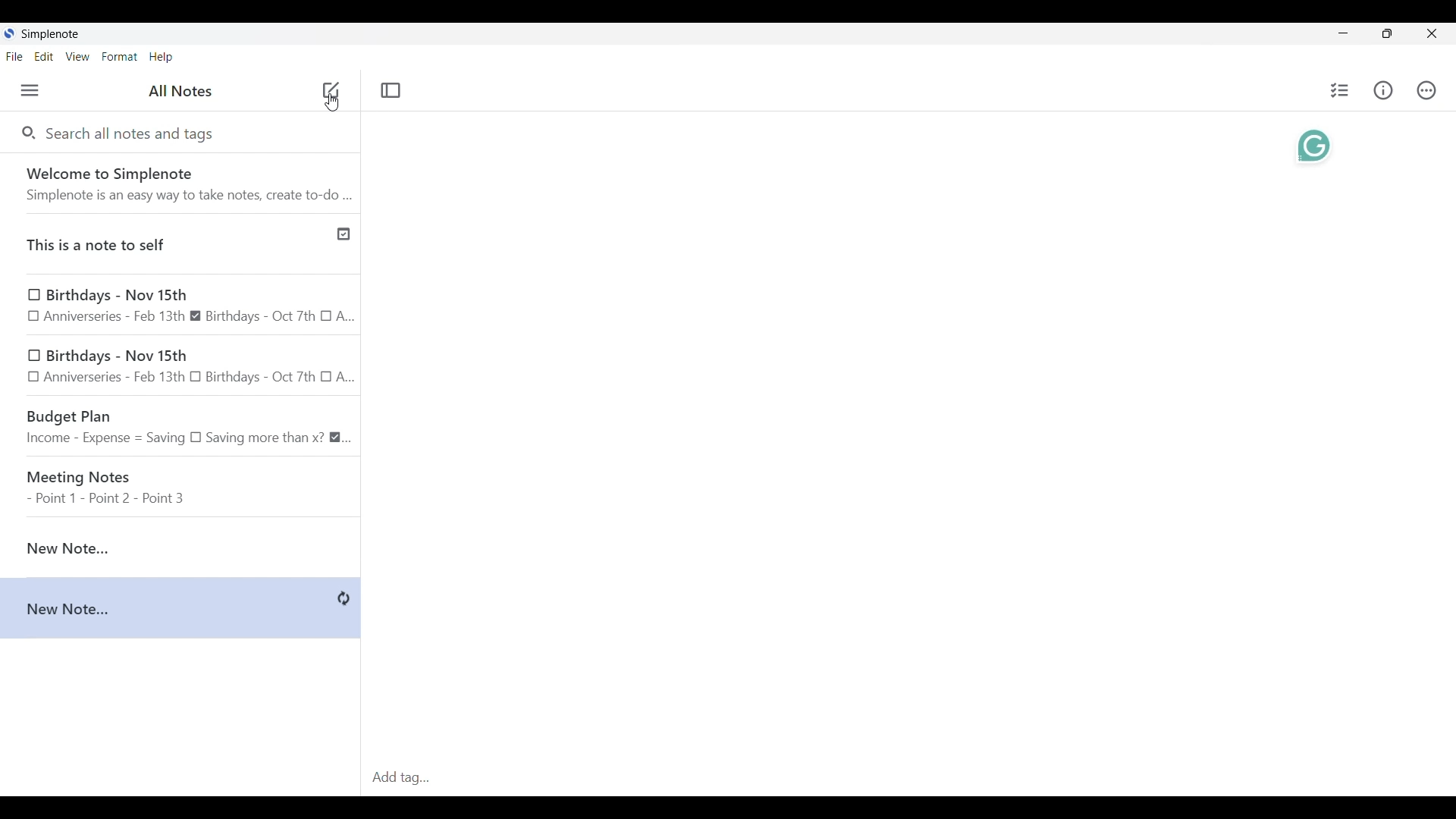  I want to click on File menu, so click(15, 56).